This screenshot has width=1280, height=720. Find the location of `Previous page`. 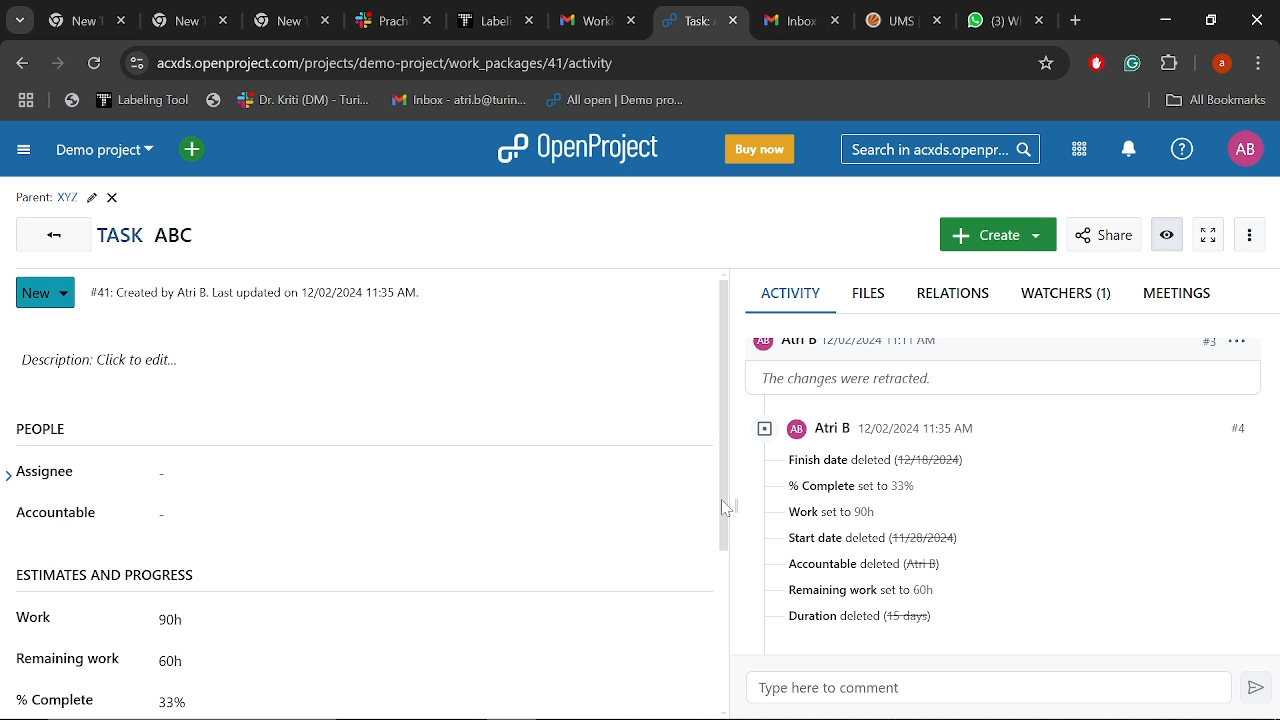

Previous page is located at coordinates (23, 64).